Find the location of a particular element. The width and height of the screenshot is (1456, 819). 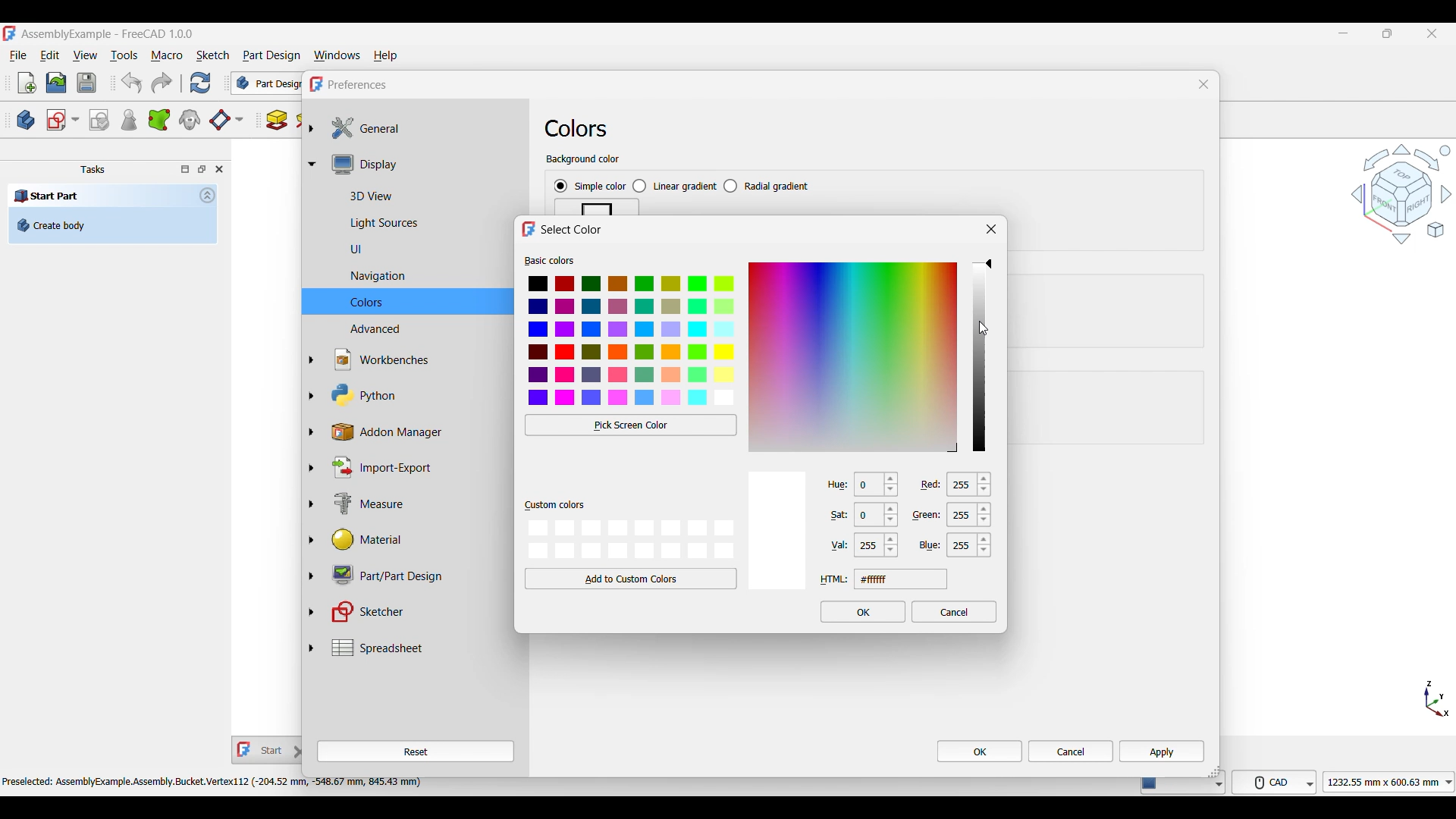

Spreadsheet is located at coordinates (424, 648).